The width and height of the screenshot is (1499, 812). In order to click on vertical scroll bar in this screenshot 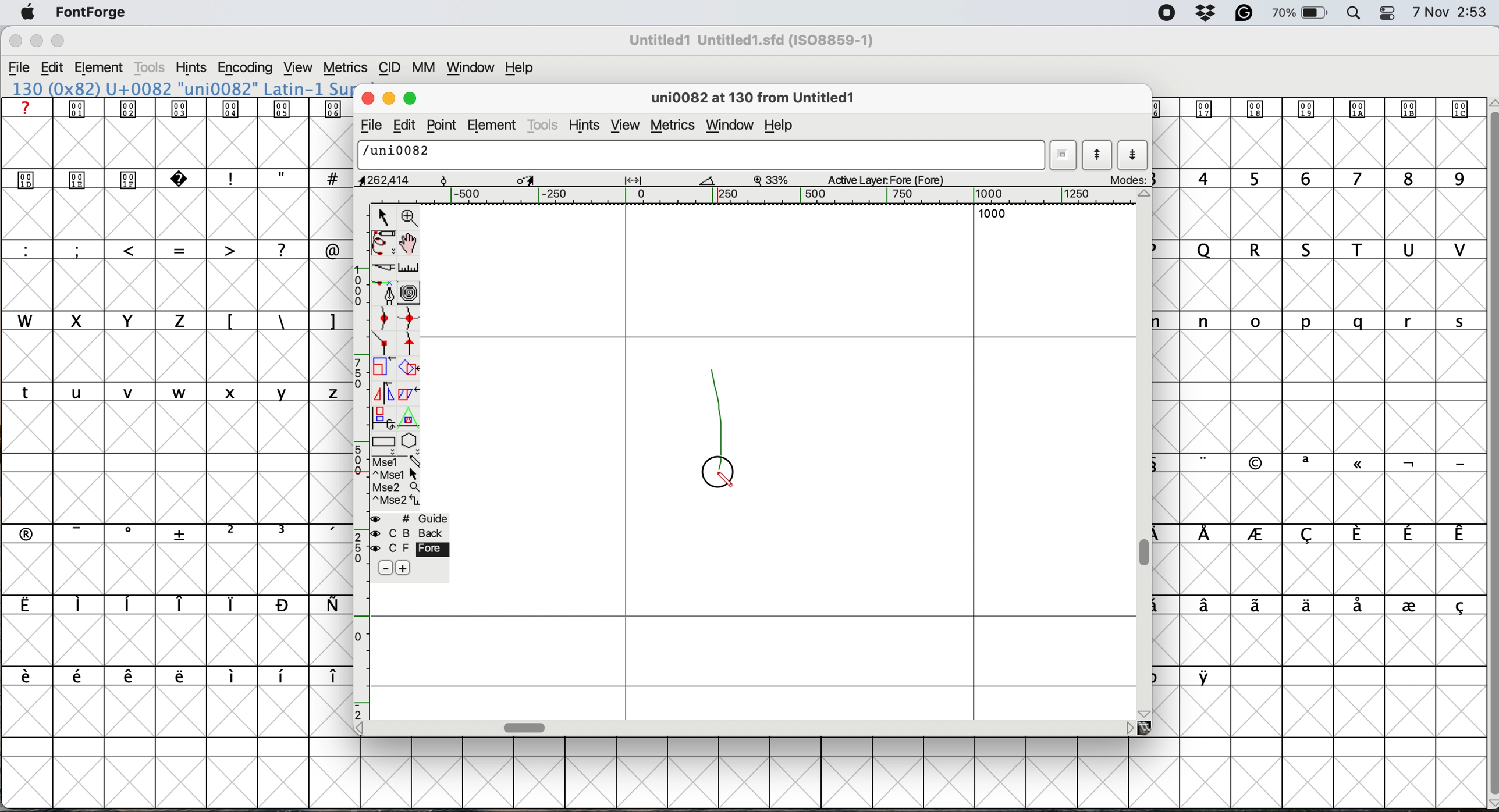, I will do `click(1486, 450)`.